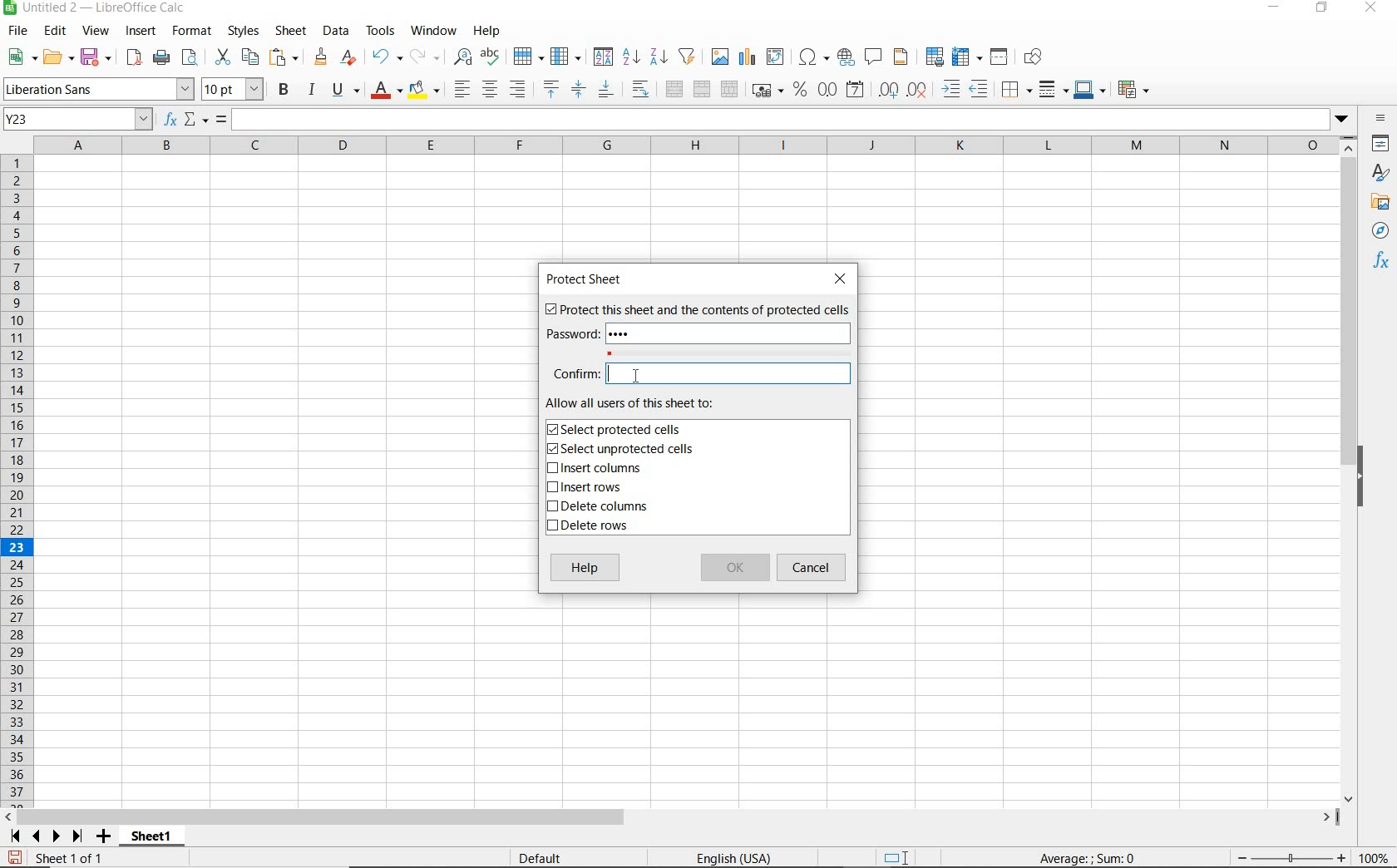 Image resolution: width=1397 pixels, height=868 pixels. Describe the element at coordinates (605, 91) in the screenshot. I see `ALIGN BOTTOM` at that location.